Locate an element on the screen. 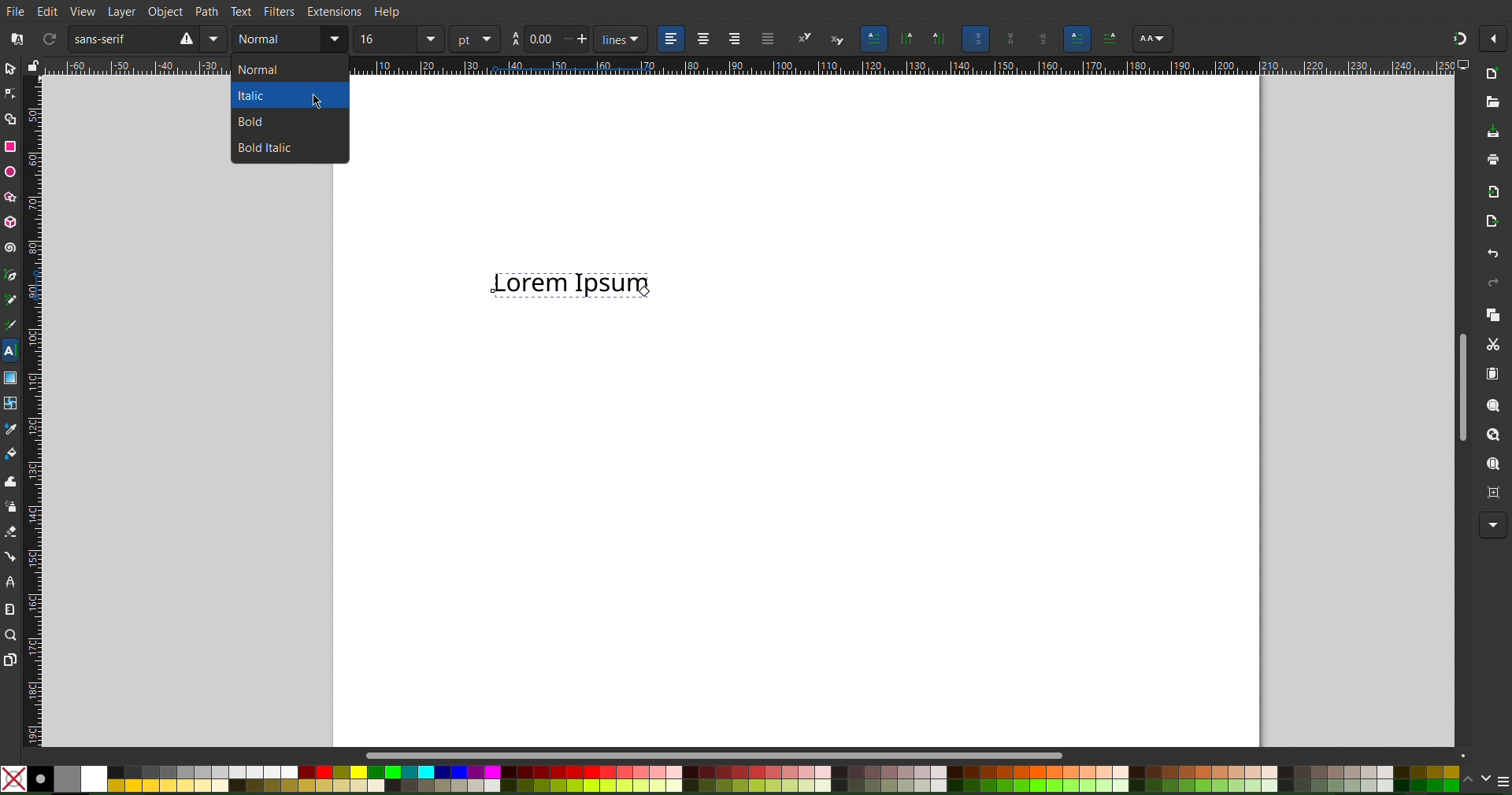 The width and height of the screenshot is (1512, 795). Rectangle is located at coordinates (10, 147).